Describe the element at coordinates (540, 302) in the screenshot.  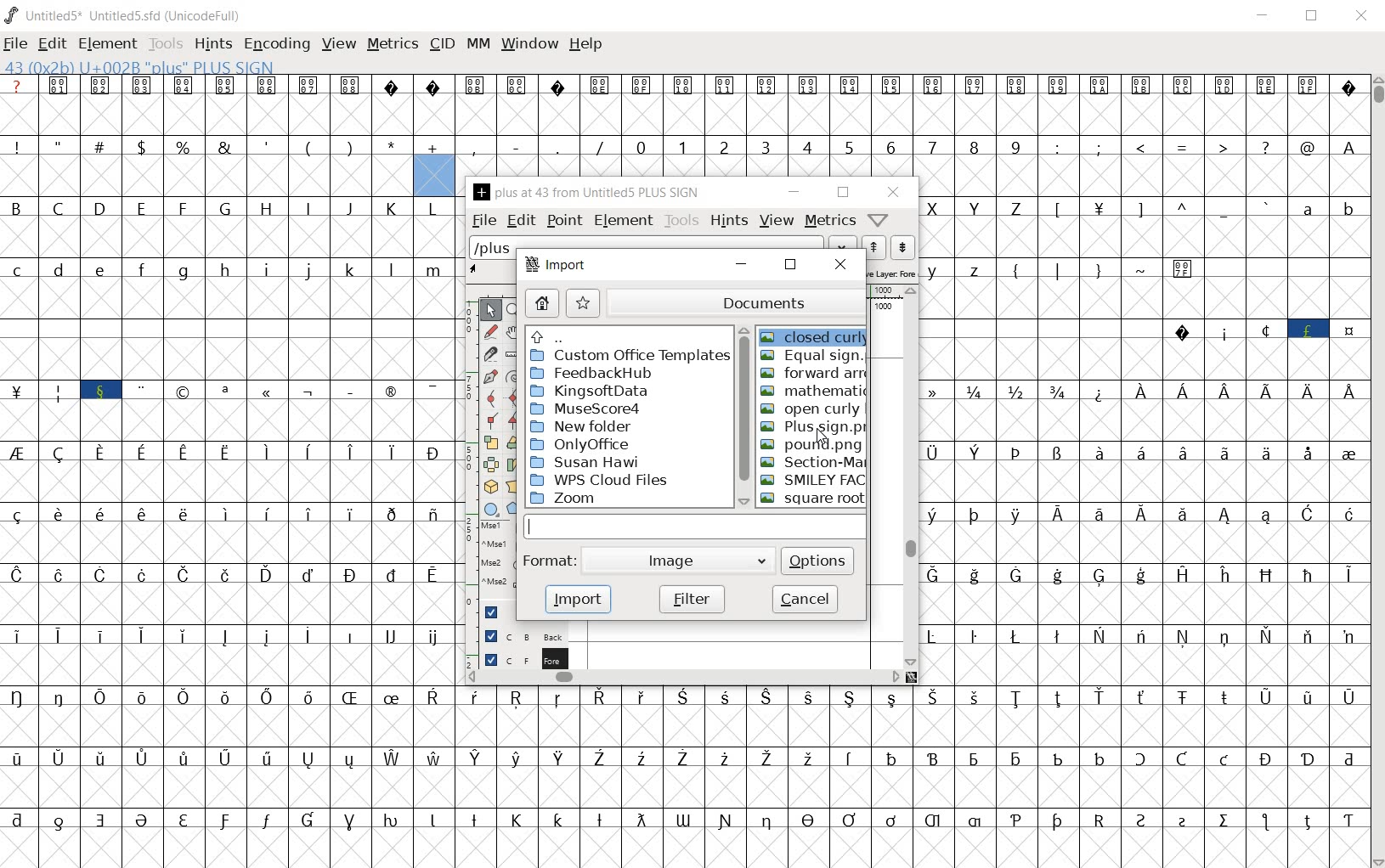
I see `home` at that location.